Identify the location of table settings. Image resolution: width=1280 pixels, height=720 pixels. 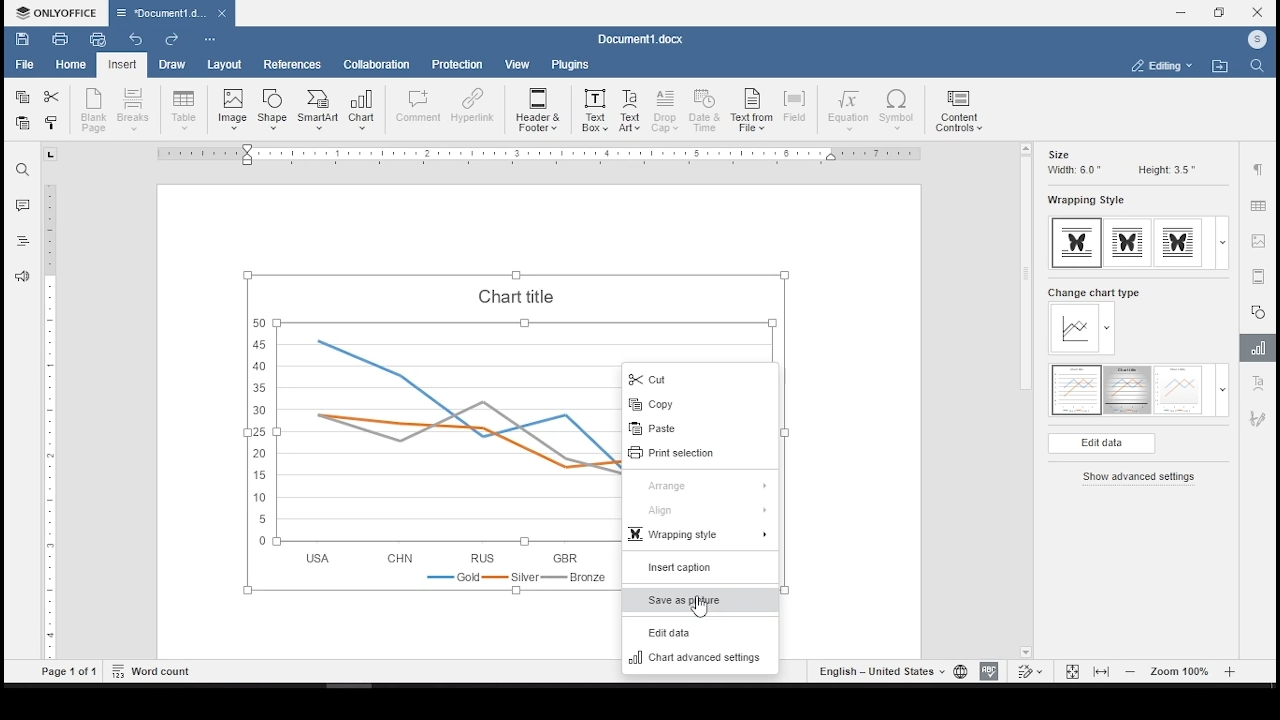
(1257, 207).